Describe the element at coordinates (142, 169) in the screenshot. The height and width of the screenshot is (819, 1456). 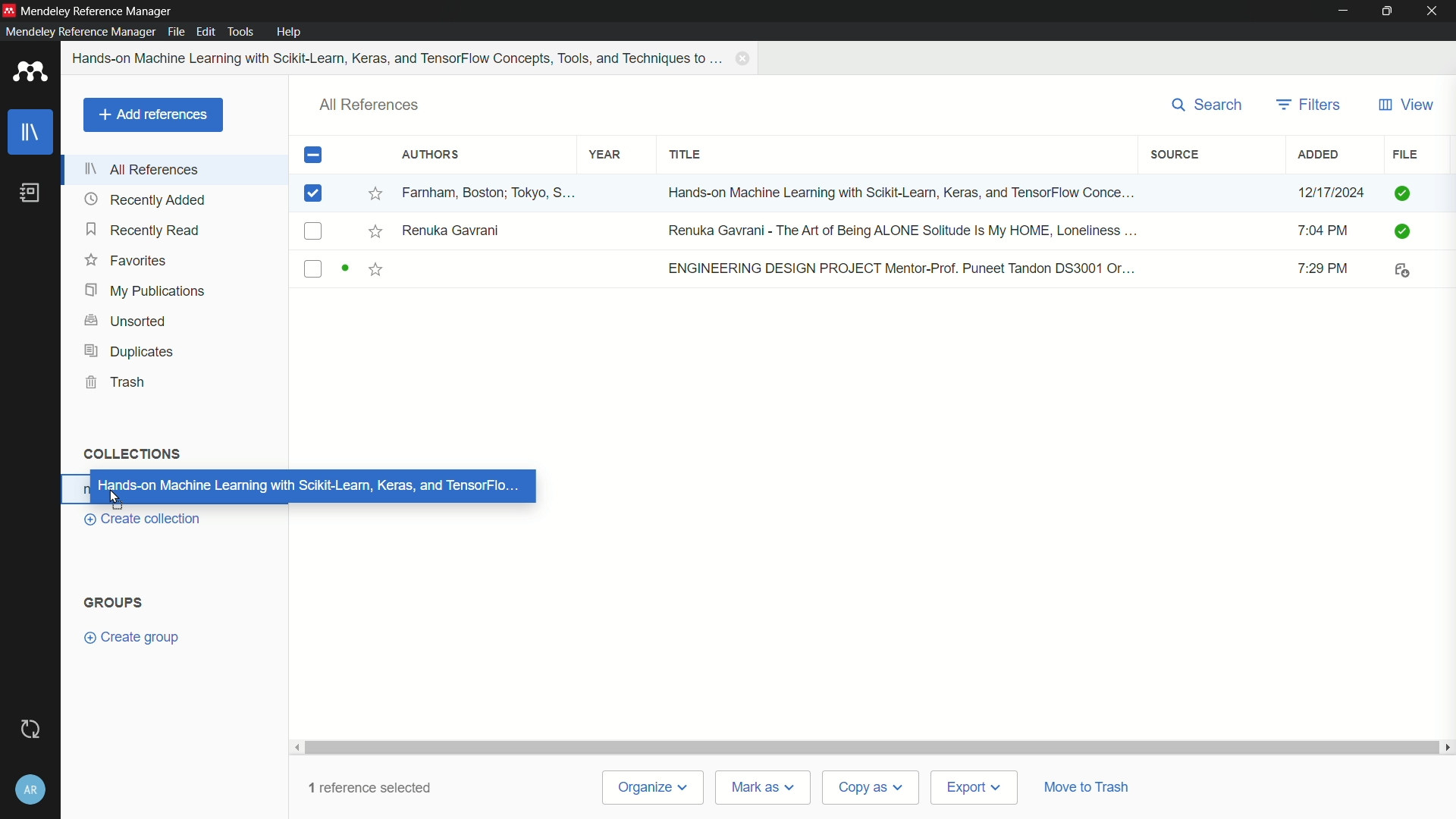
I see `all references` at that location.